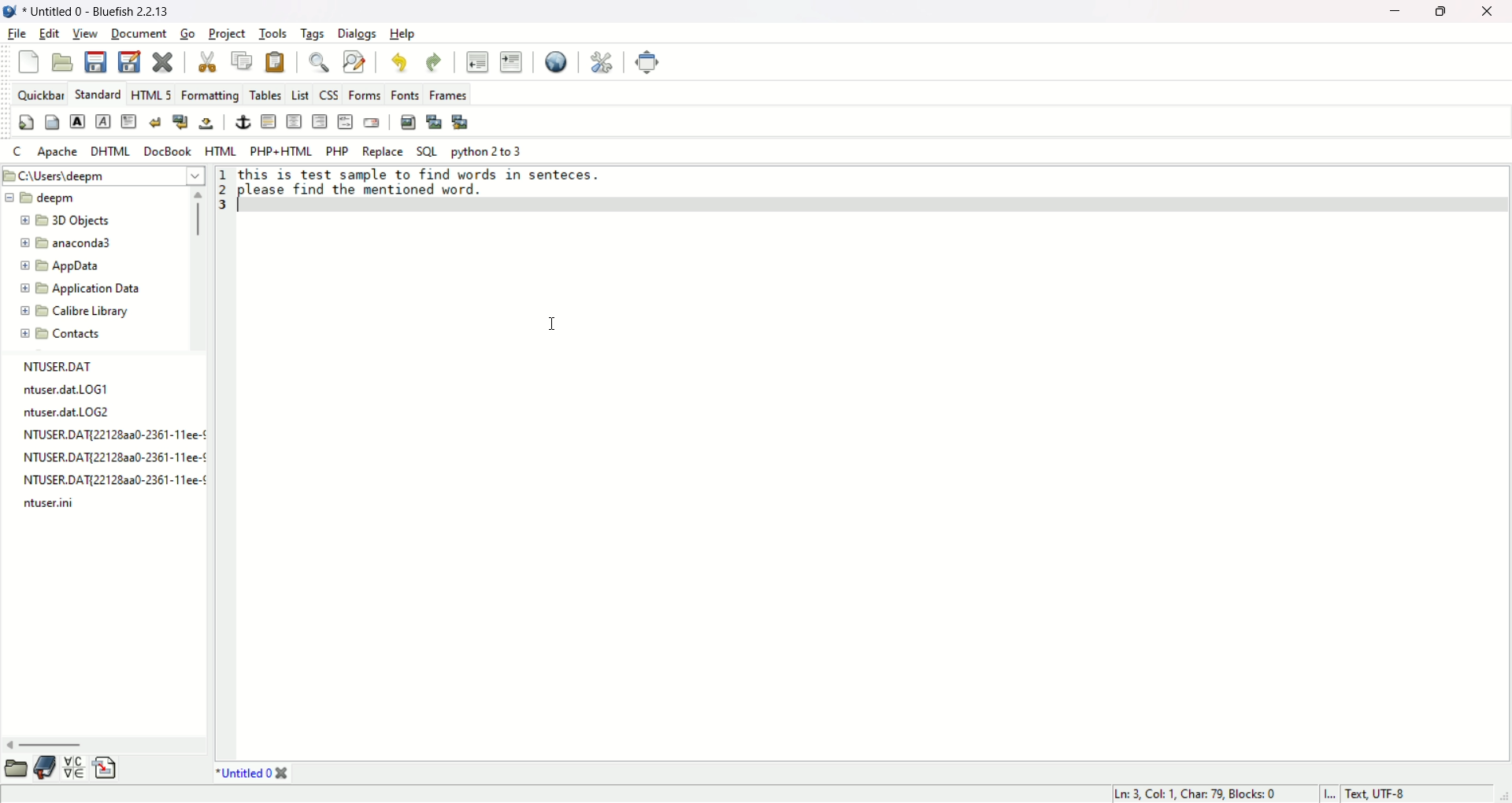  What do you see at coordinates (96, 11) in the screenshot?
I see `title` at bounding box center [96, 11].